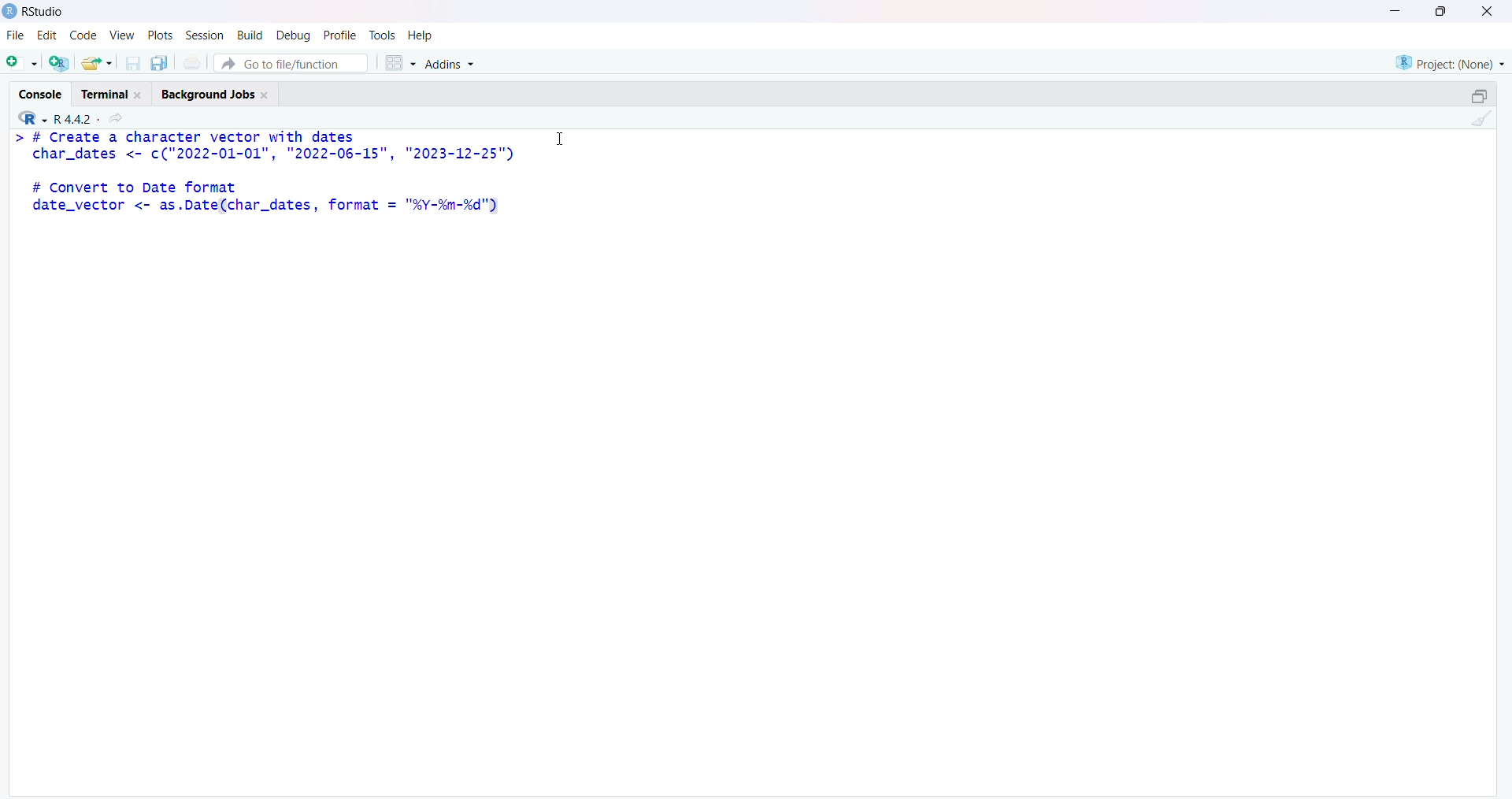 The width and height of the screenshot is (1512, 799). Describe the element at coordinates (1478, 122) in the screenshot. I see `Clear console (Ctrl +L)` at that location.